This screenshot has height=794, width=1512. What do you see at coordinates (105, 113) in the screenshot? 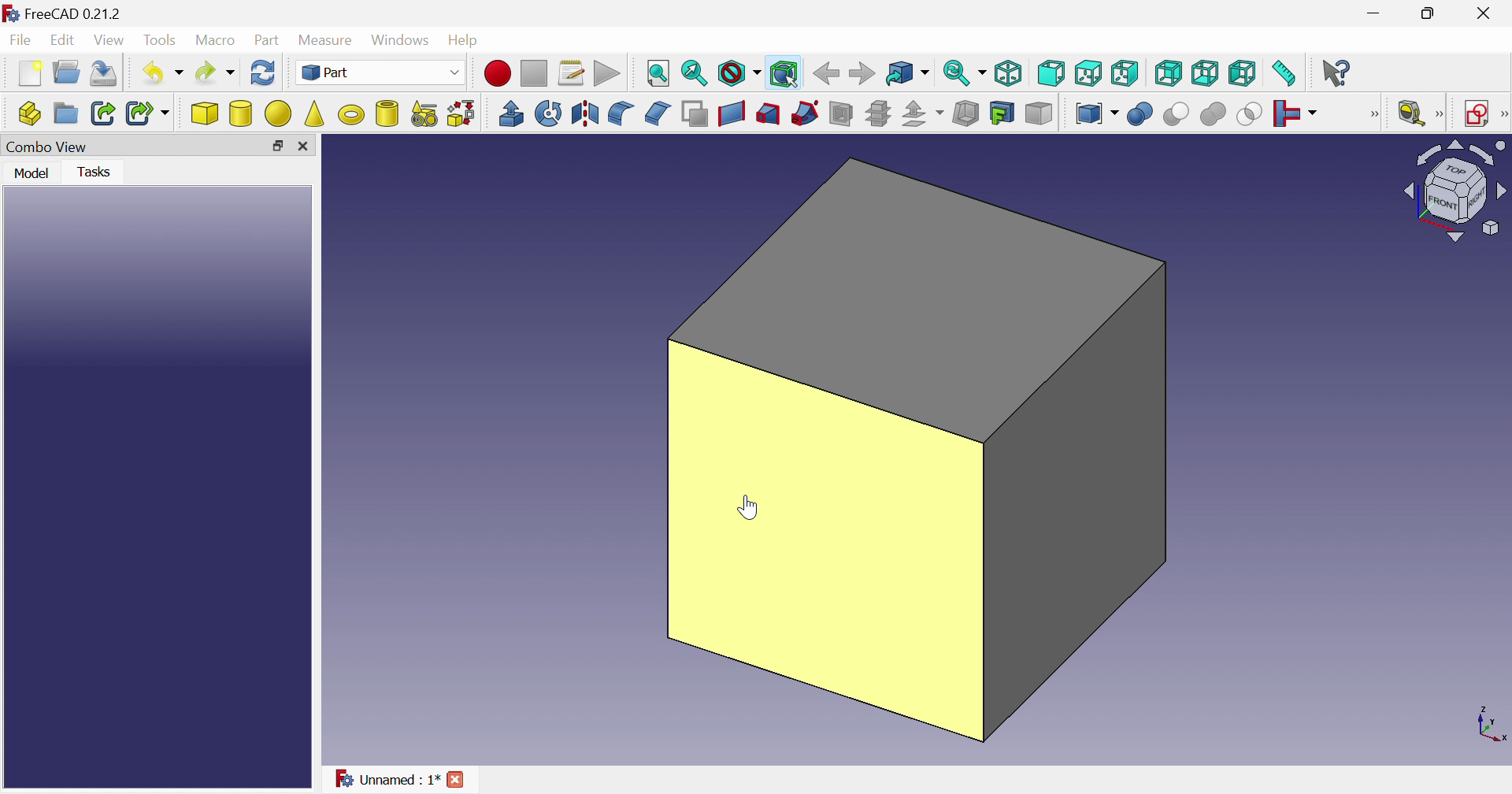
I see `Make link` at bounding box center [105, 113].